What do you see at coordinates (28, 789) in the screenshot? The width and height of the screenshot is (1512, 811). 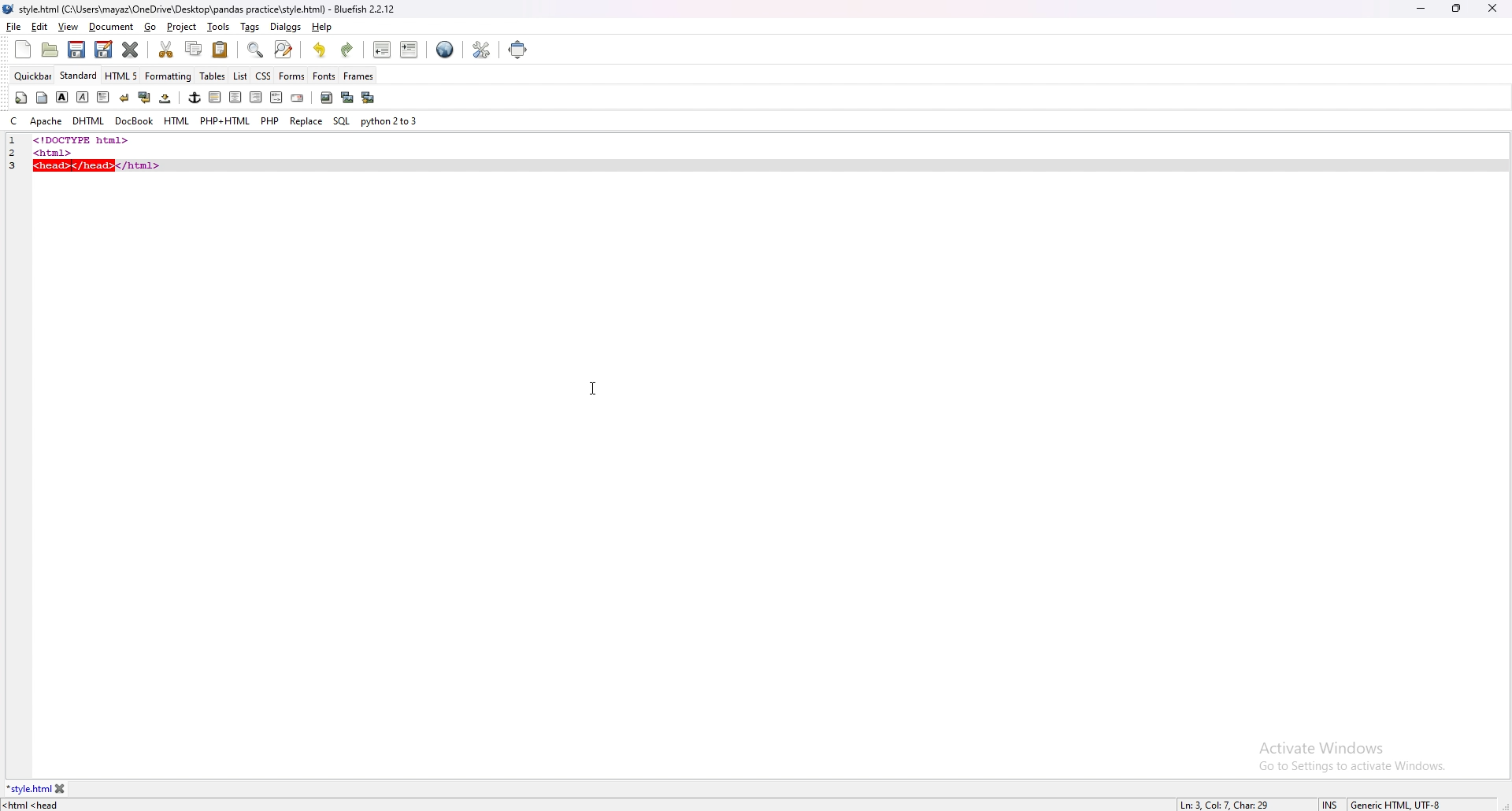 I see `tab` at bounding box center [28, 789].